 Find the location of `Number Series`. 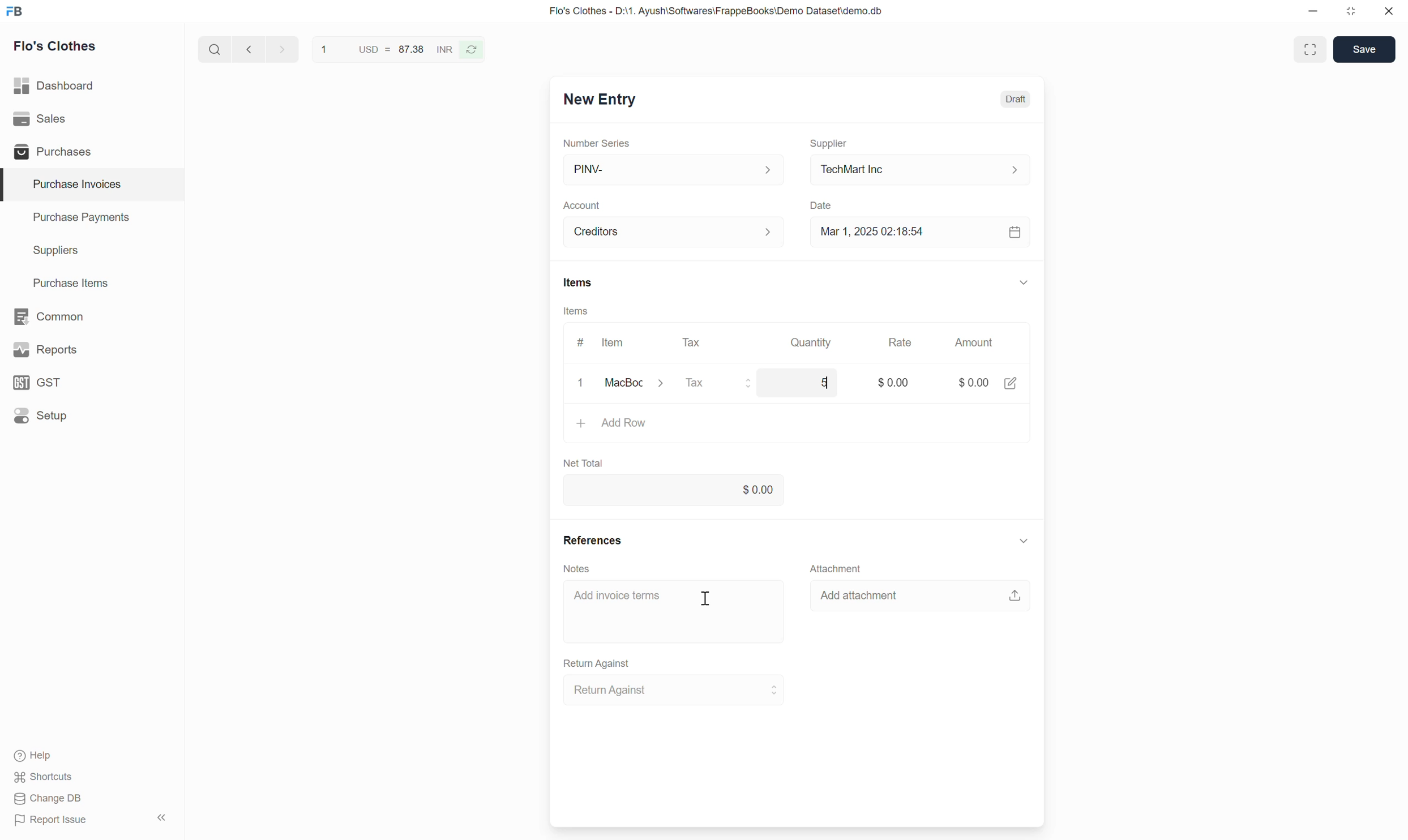

Number Series is located at coordinates (597, 143).